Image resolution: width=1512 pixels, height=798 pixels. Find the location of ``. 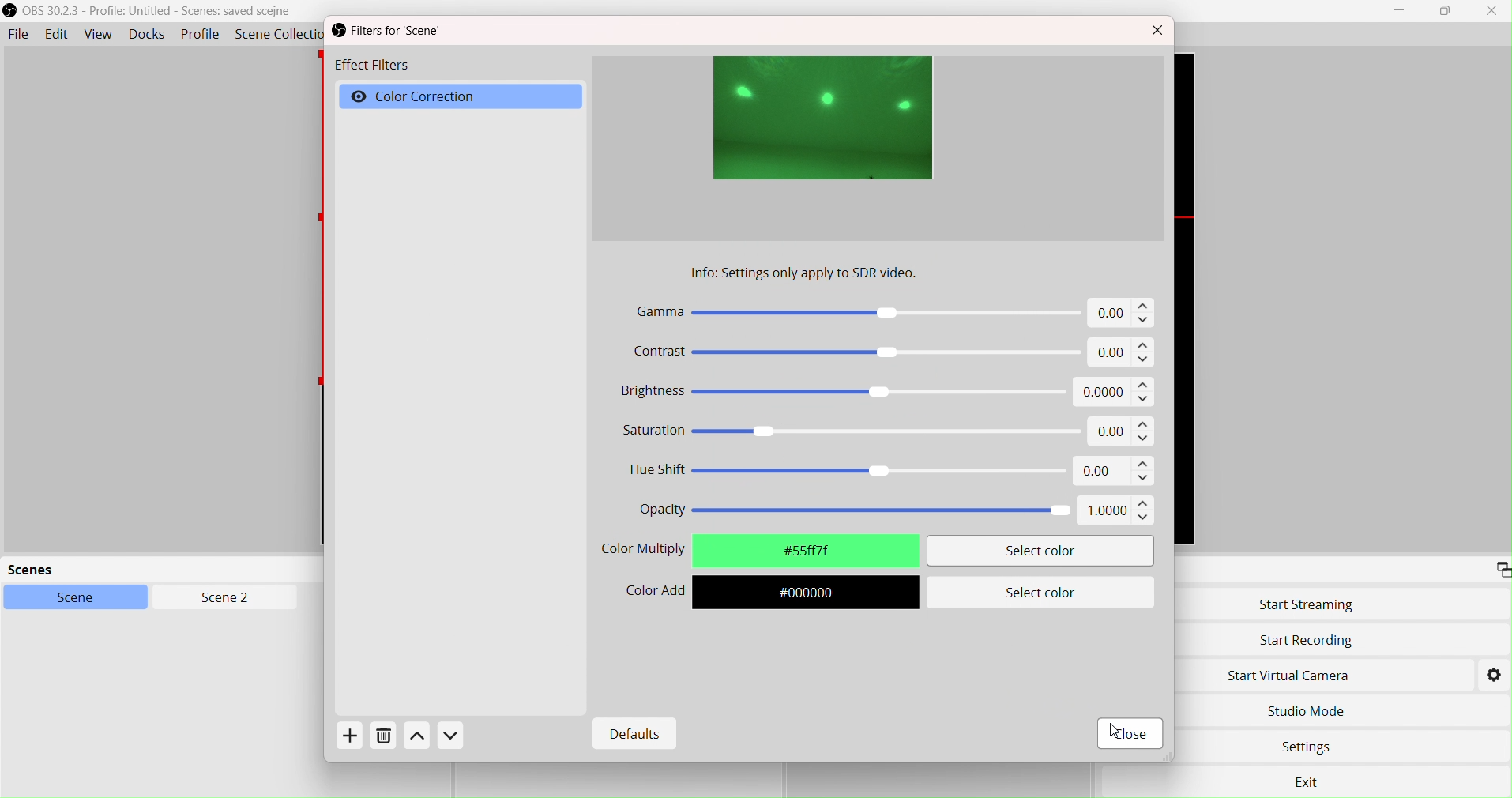

 is located at coordinates (180, 11).